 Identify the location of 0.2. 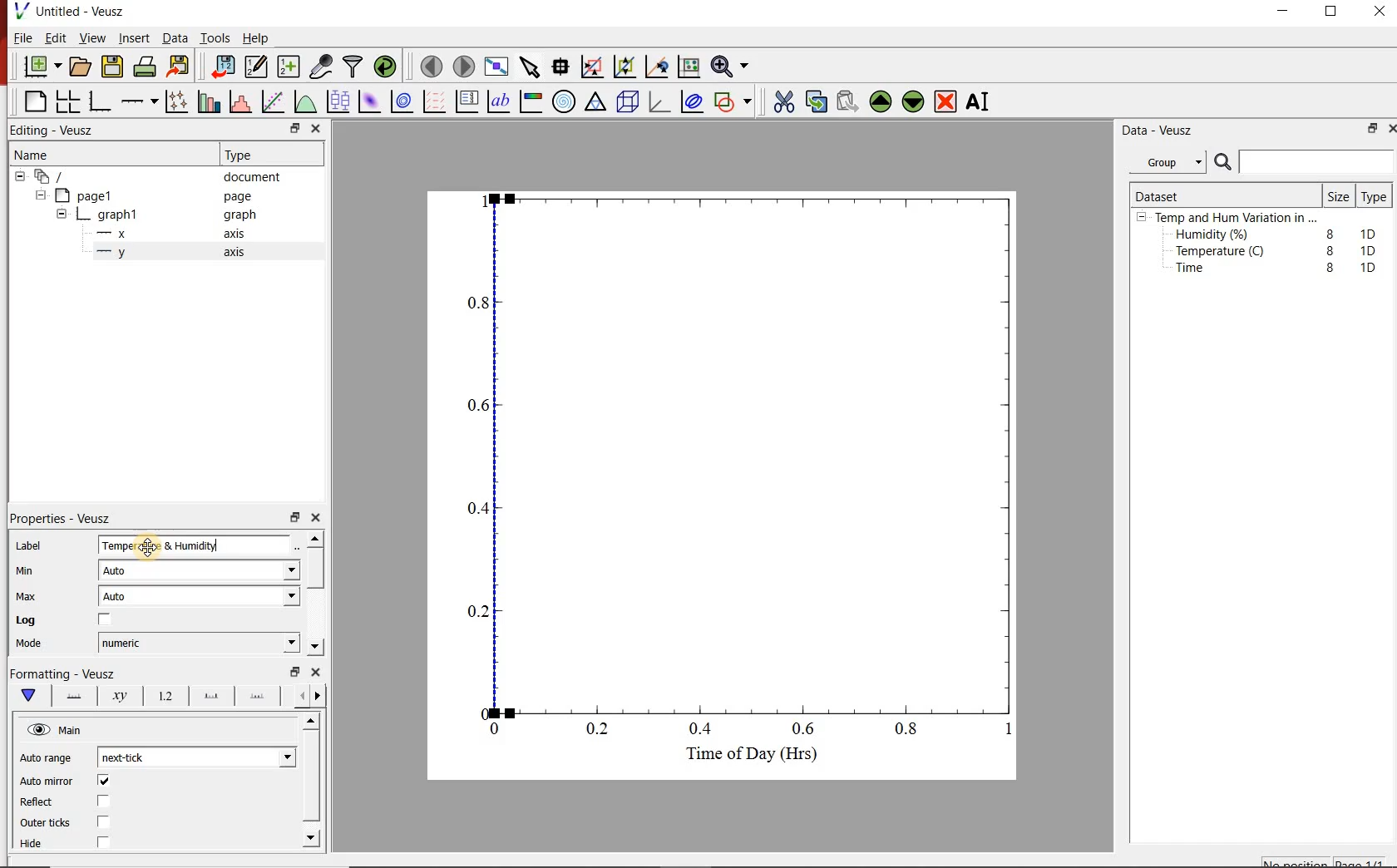
(600, 730).